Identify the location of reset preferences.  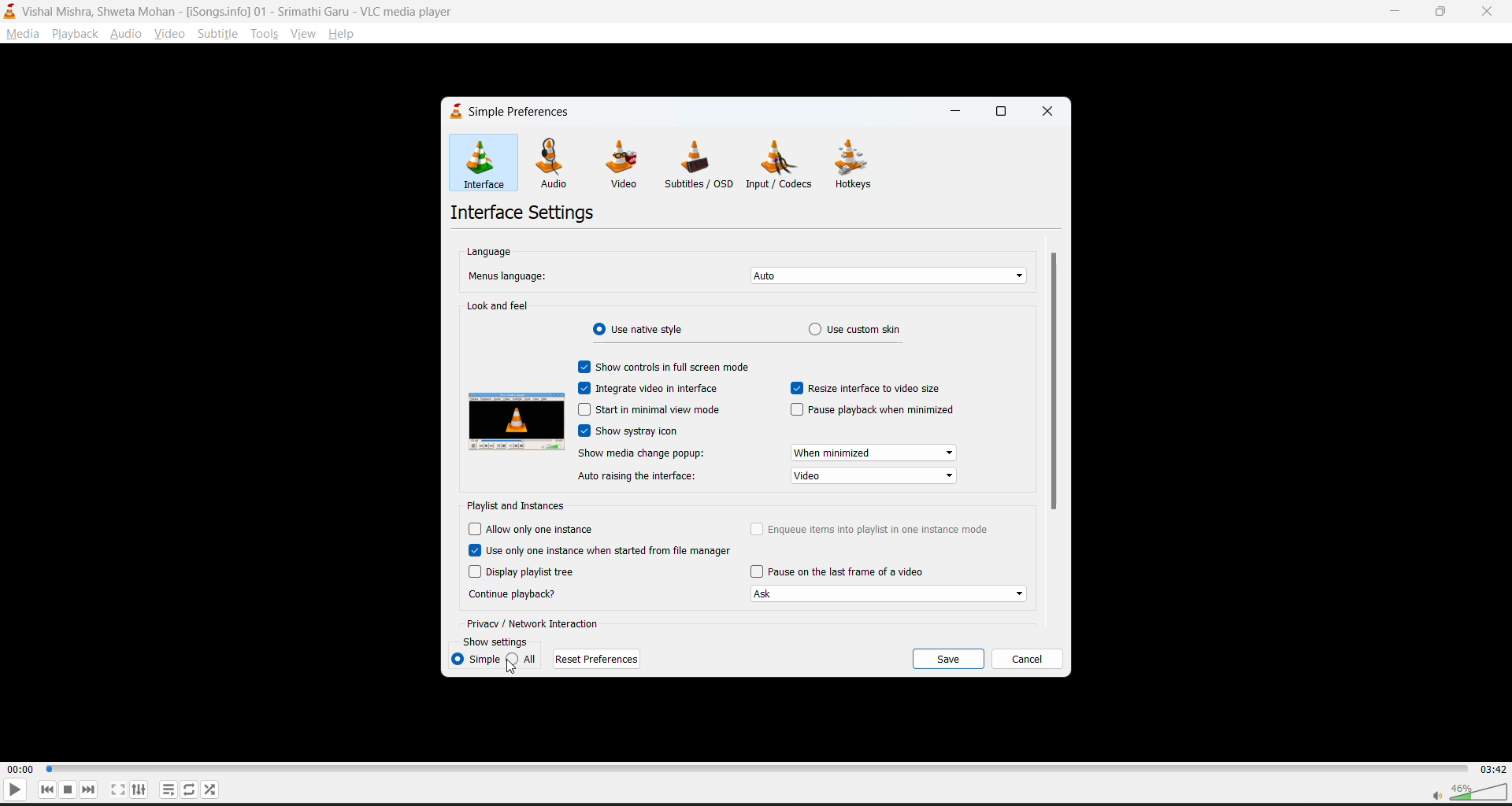
(595, 660).